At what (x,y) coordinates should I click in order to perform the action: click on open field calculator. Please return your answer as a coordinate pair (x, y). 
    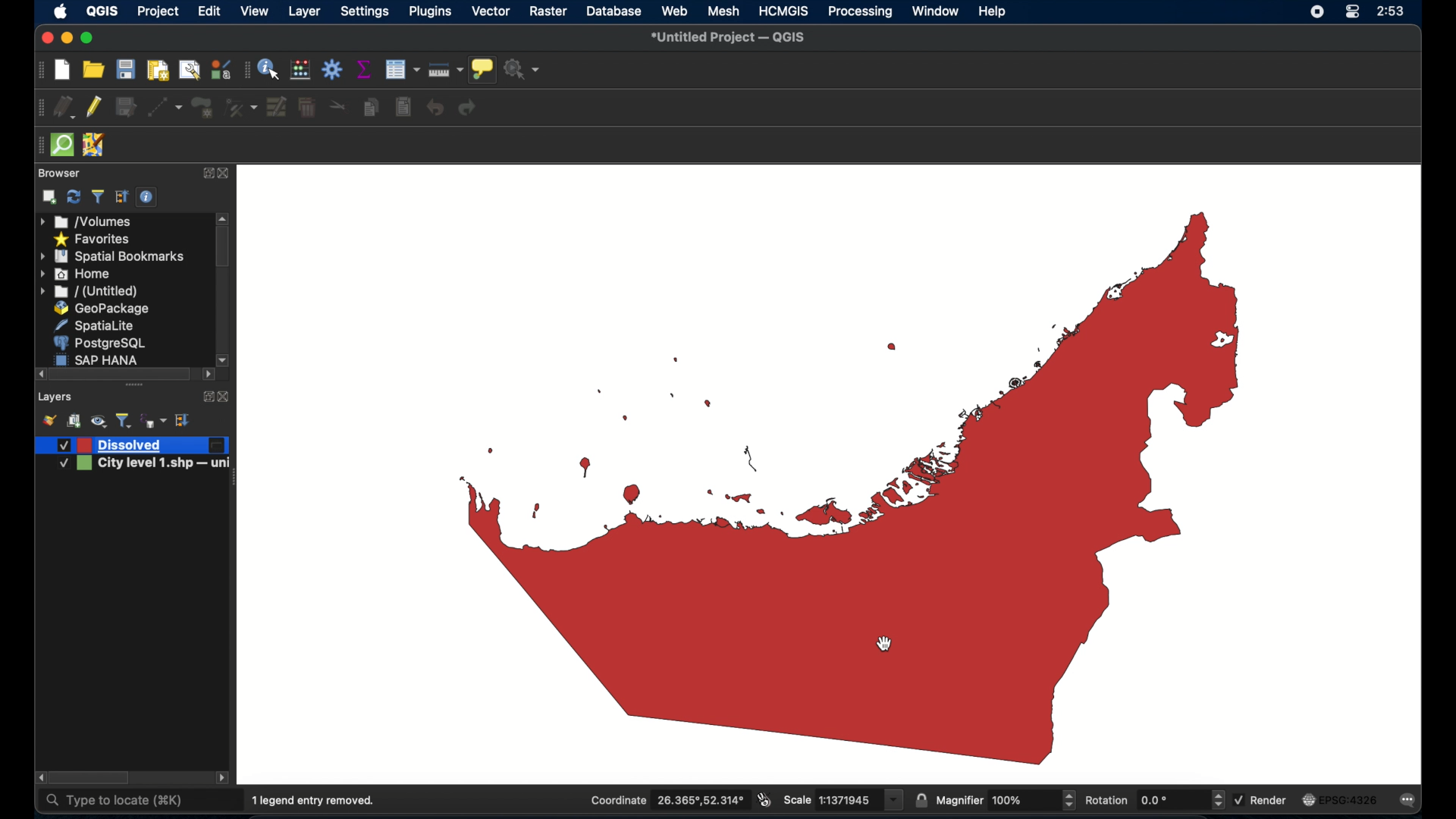
    Looking at the image, I should click on (300, 70).